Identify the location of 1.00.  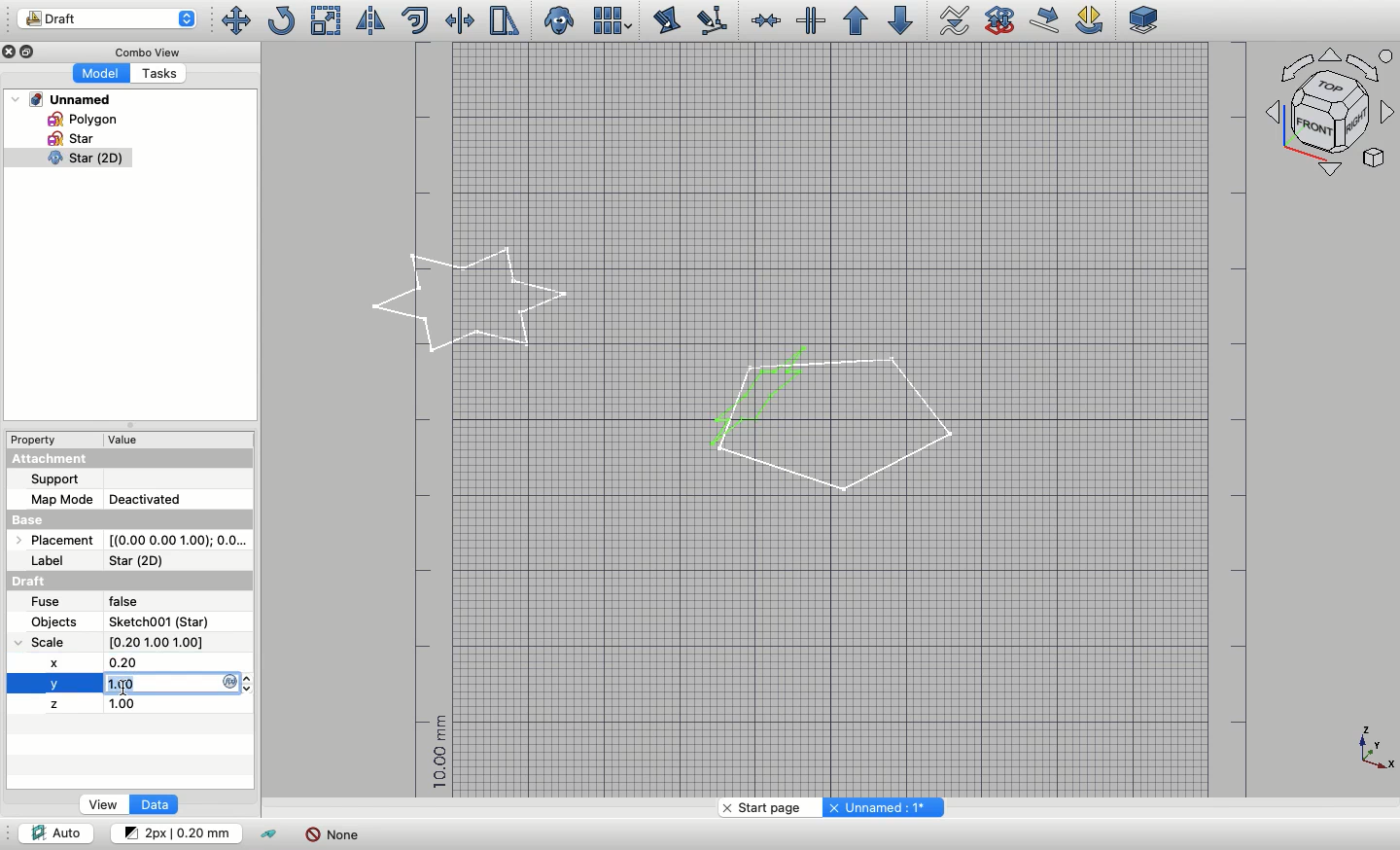
(165, 705).